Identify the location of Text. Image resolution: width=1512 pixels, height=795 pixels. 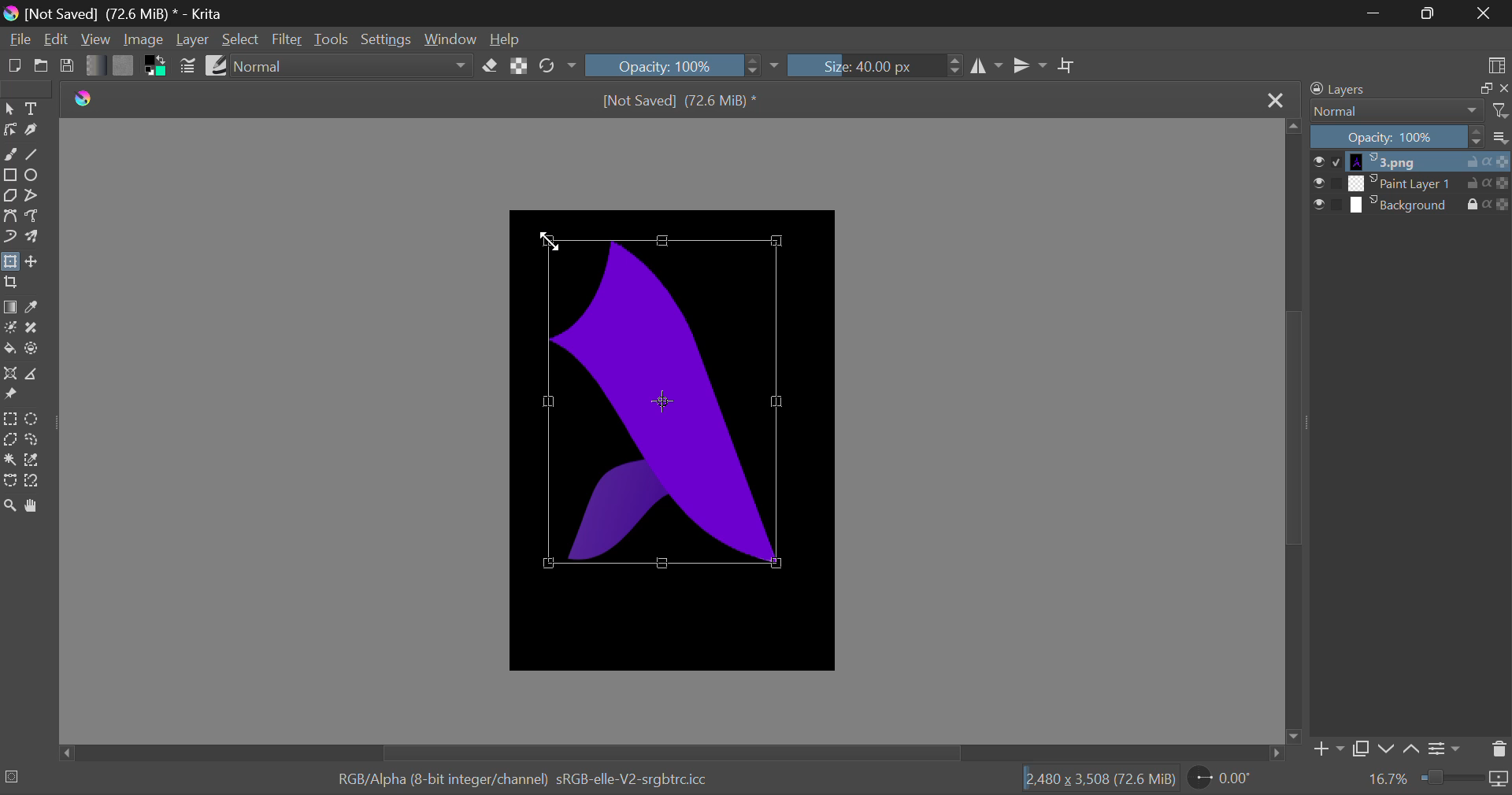
(32, 109).